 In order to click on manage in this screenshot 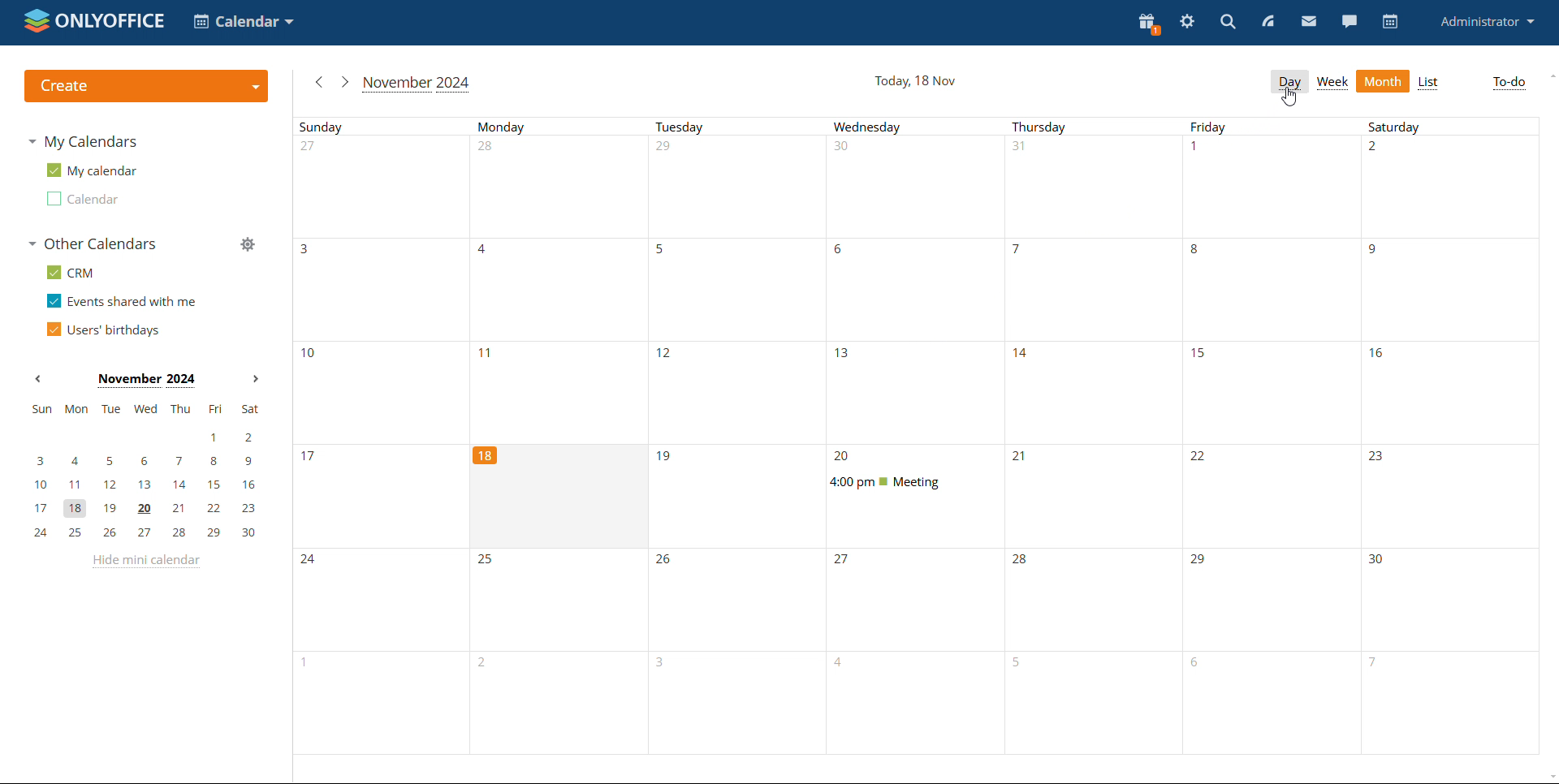, I will do `click(248, 244)`.